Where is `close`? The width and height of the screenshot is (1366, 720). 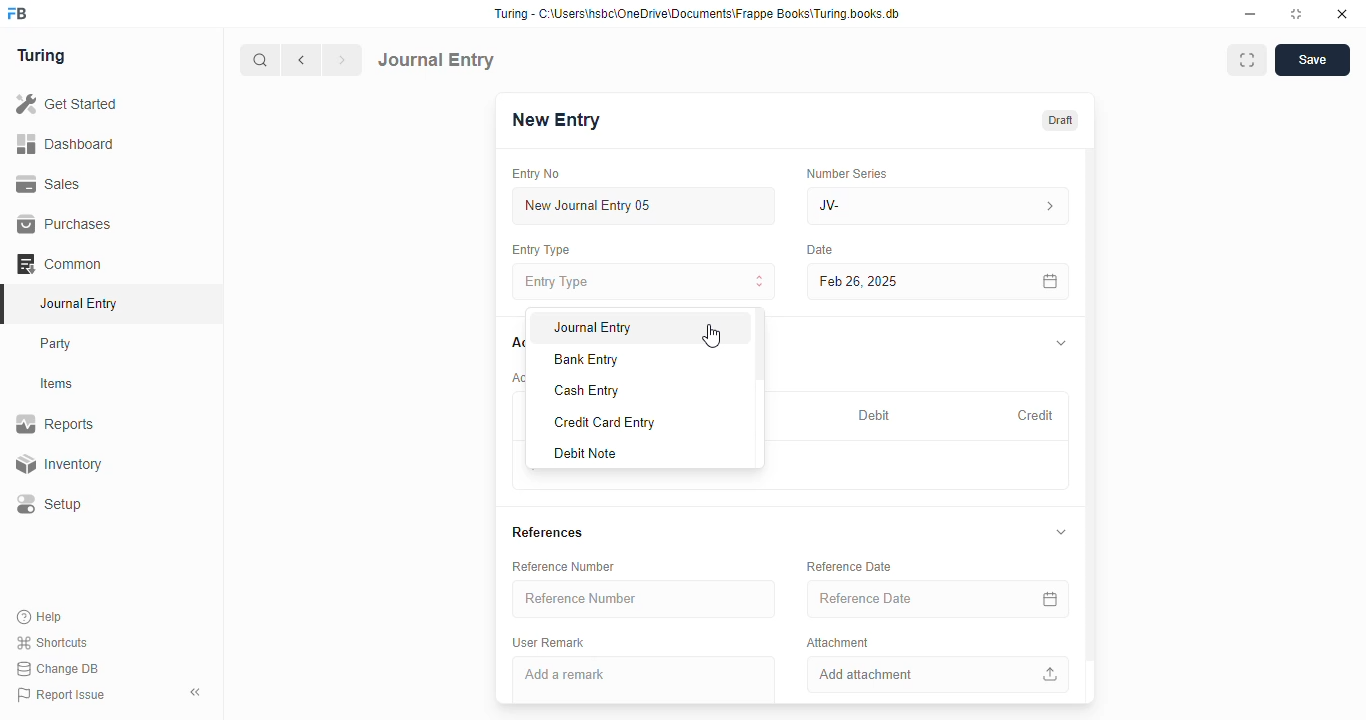
close is located at coordinates (1342, 14).